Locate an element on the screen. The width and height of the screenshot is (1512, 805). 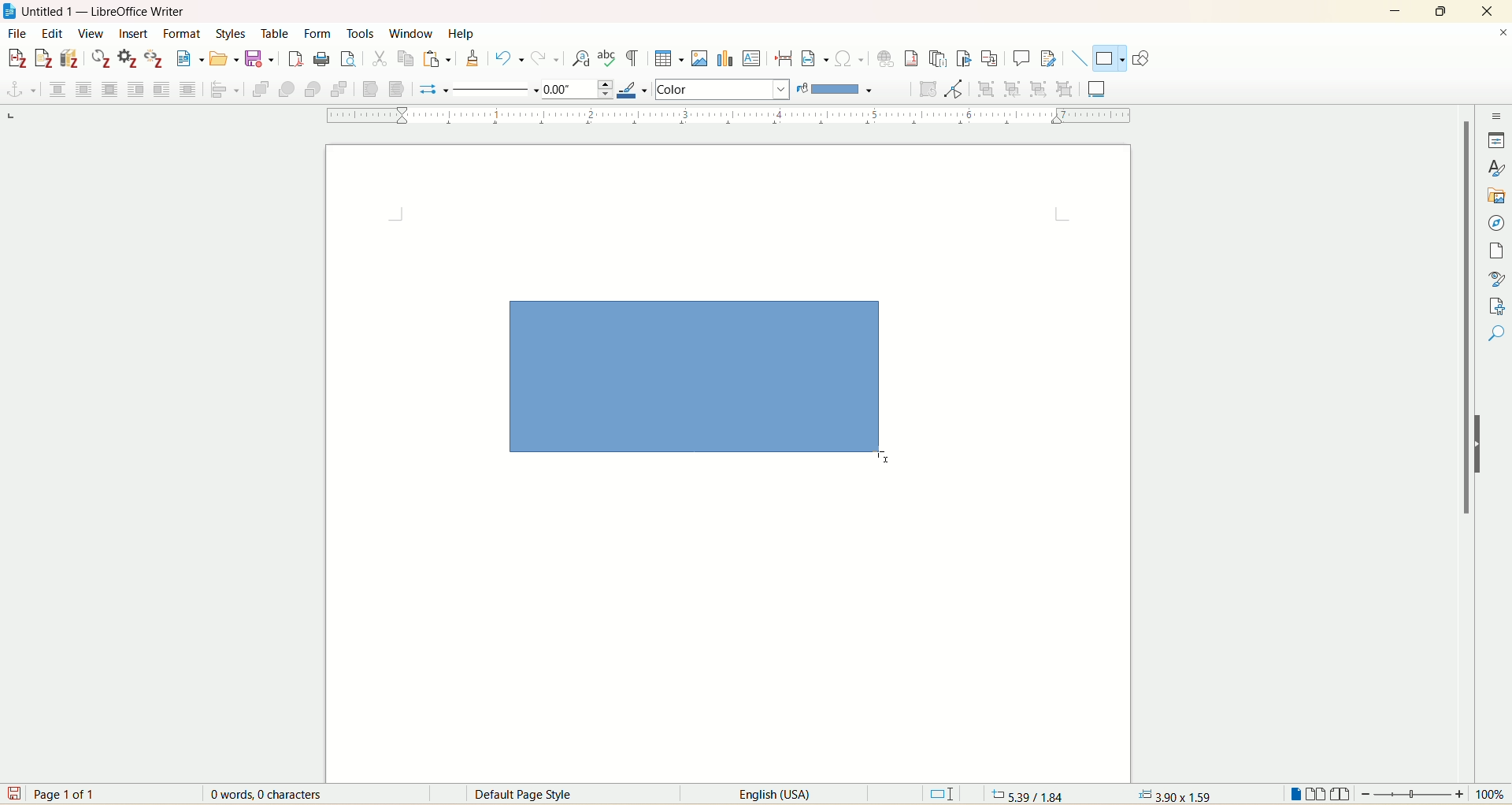
save is located at coordinates (13, 793).